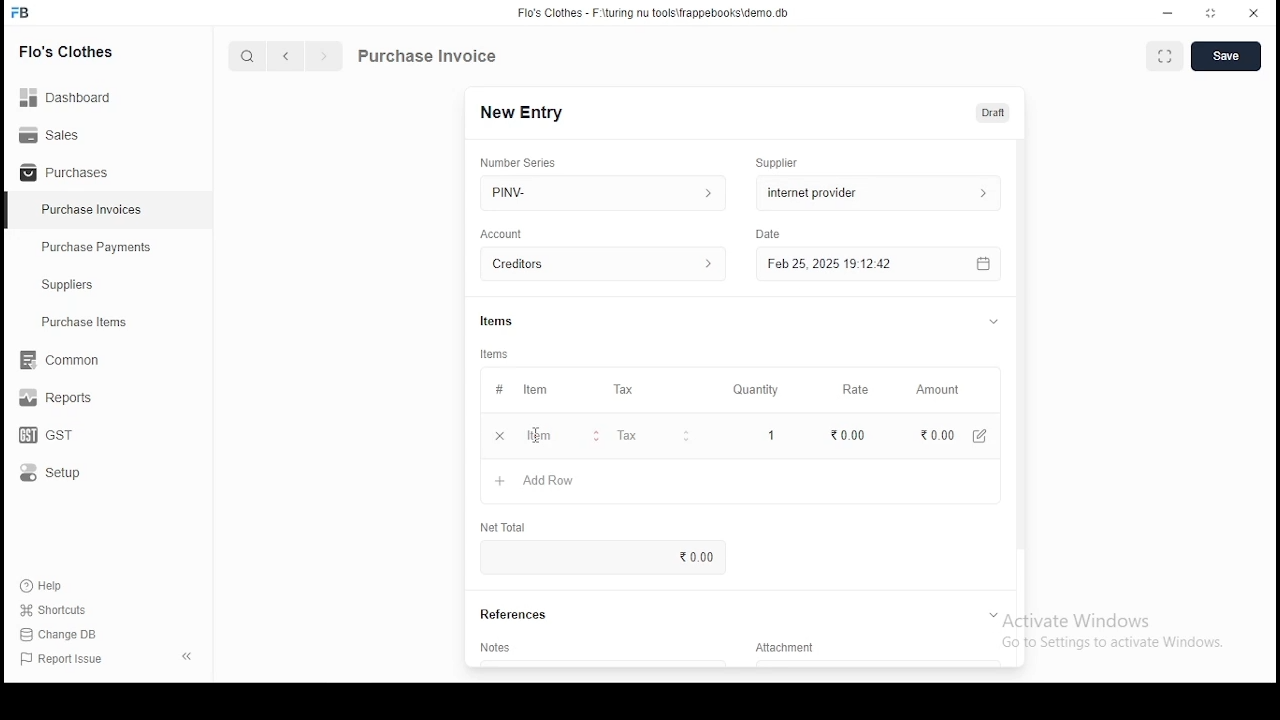 The height and width of the screenshot is (720, 1280). Describe the element at coordinates (499, 391) in the screenshot. I see `#` at that location.